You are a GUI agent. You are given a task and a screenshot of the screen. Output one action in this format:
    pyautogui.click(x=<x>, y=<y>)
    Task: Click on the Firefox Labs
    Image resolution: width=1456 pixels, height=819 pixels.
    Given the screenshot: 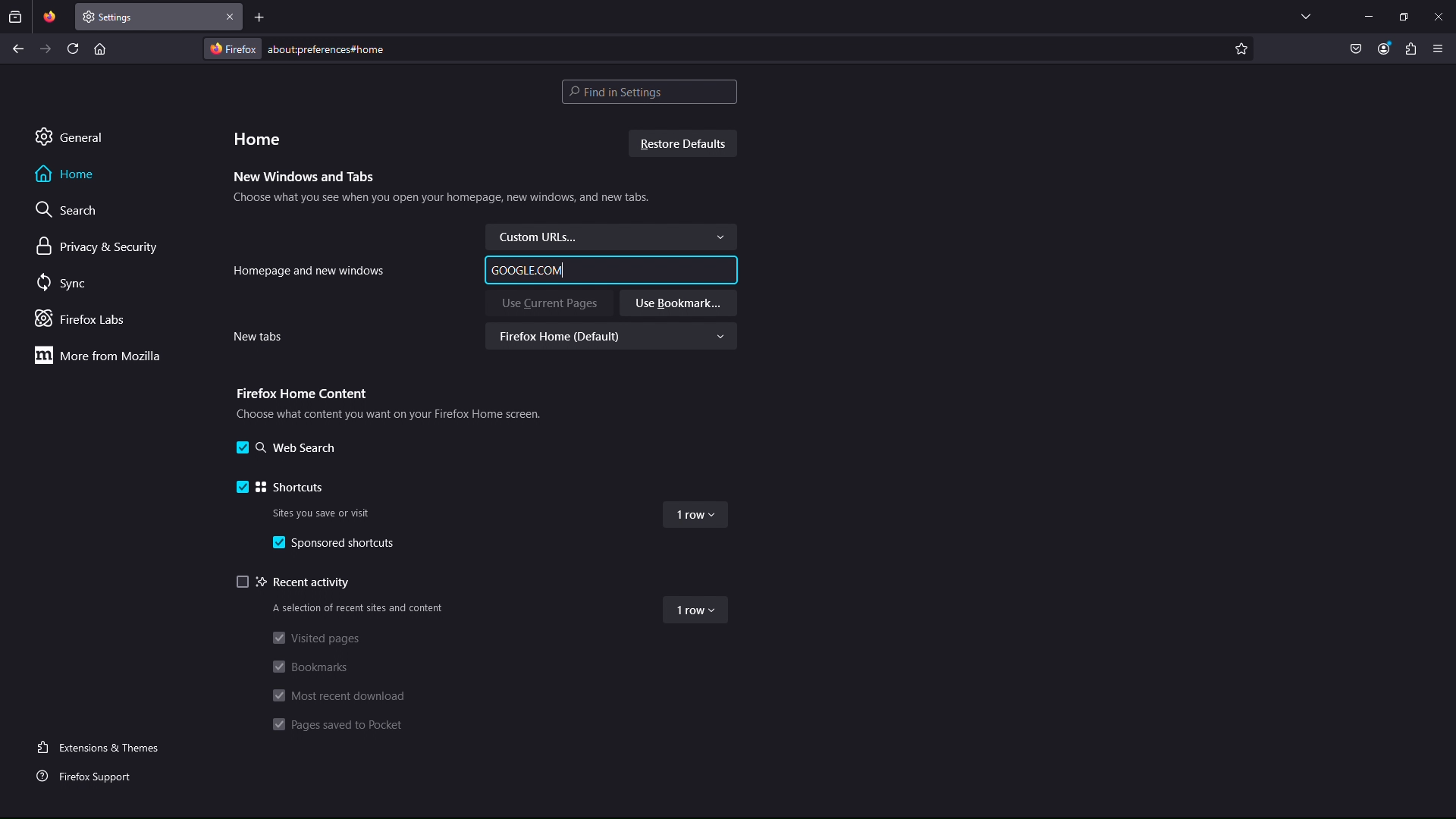 What is the action you would take?
    pyautogui.click(x=86, y=320)
    